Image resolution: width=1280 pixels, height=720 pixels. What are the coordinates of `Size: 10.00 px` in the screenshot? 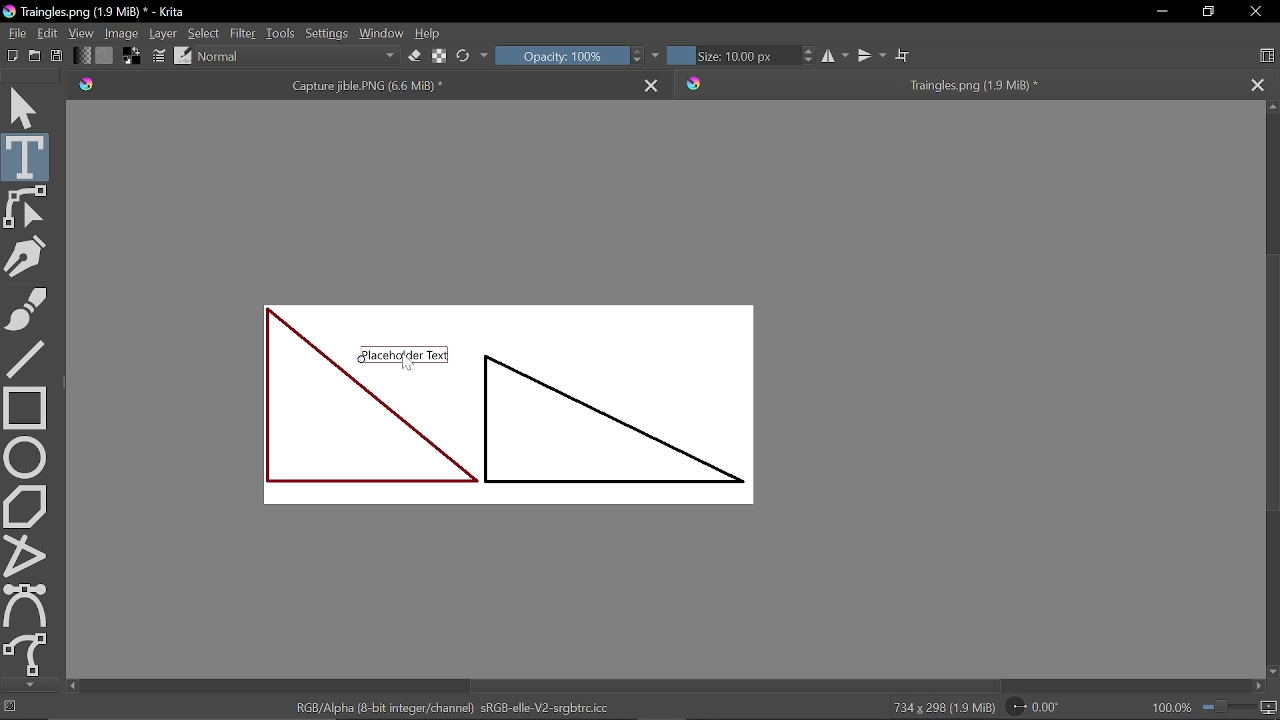 It's located at (729, 56).